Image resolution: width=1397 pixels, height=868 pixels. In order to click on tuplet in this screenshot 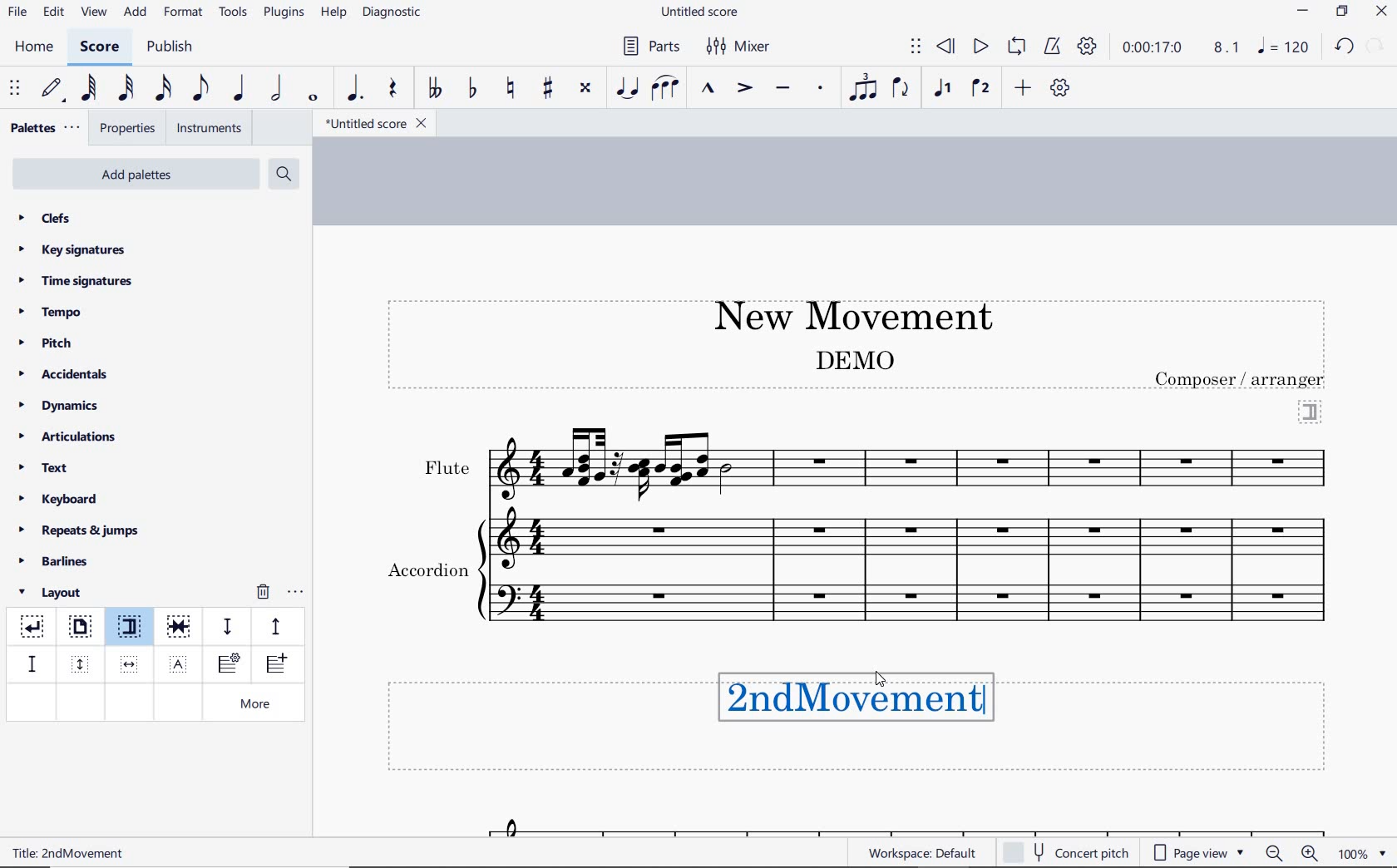, I will do `click(860, 87)`.